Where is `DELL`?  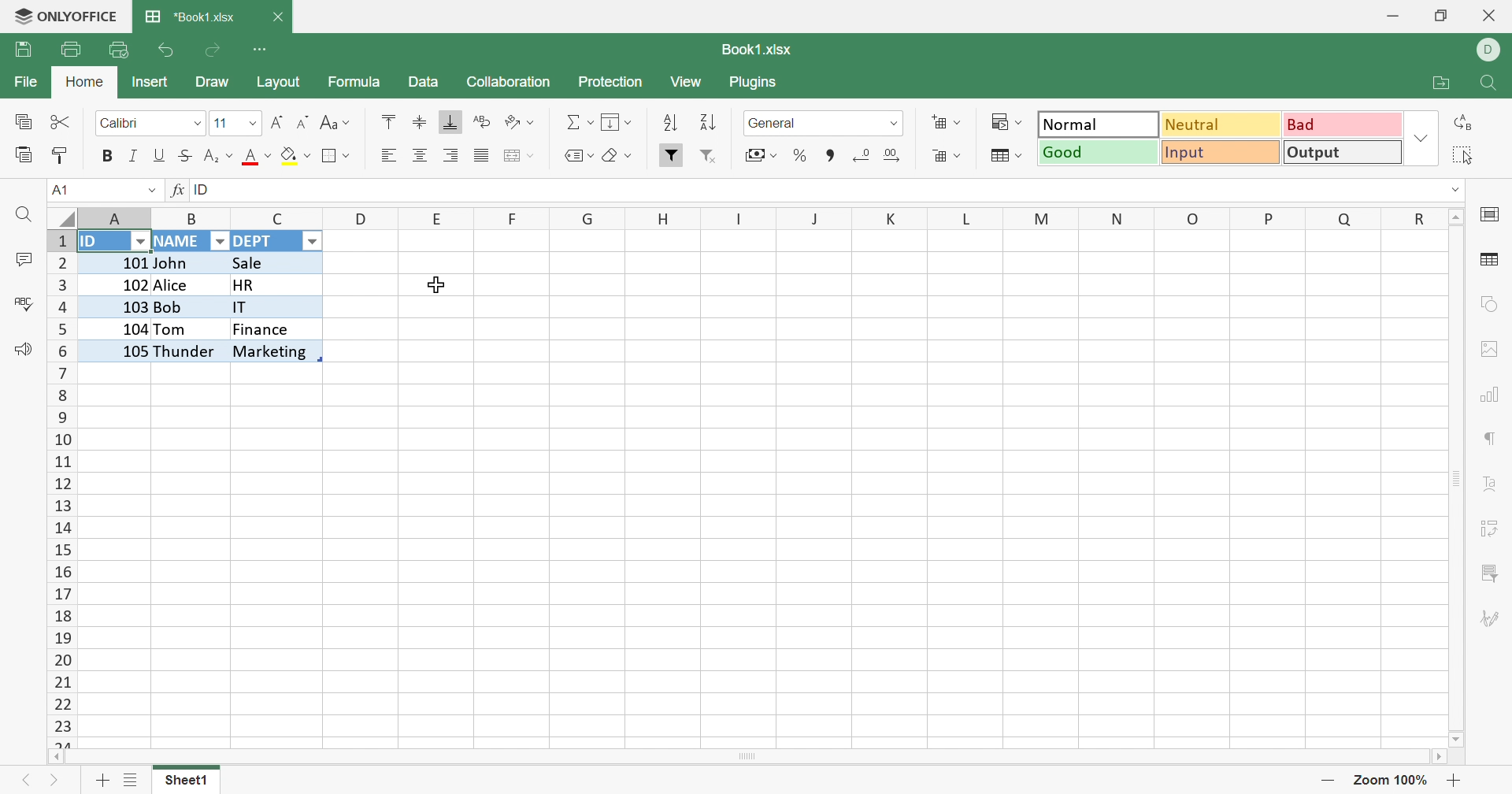
DELL is located at coordinates (1492, 50).